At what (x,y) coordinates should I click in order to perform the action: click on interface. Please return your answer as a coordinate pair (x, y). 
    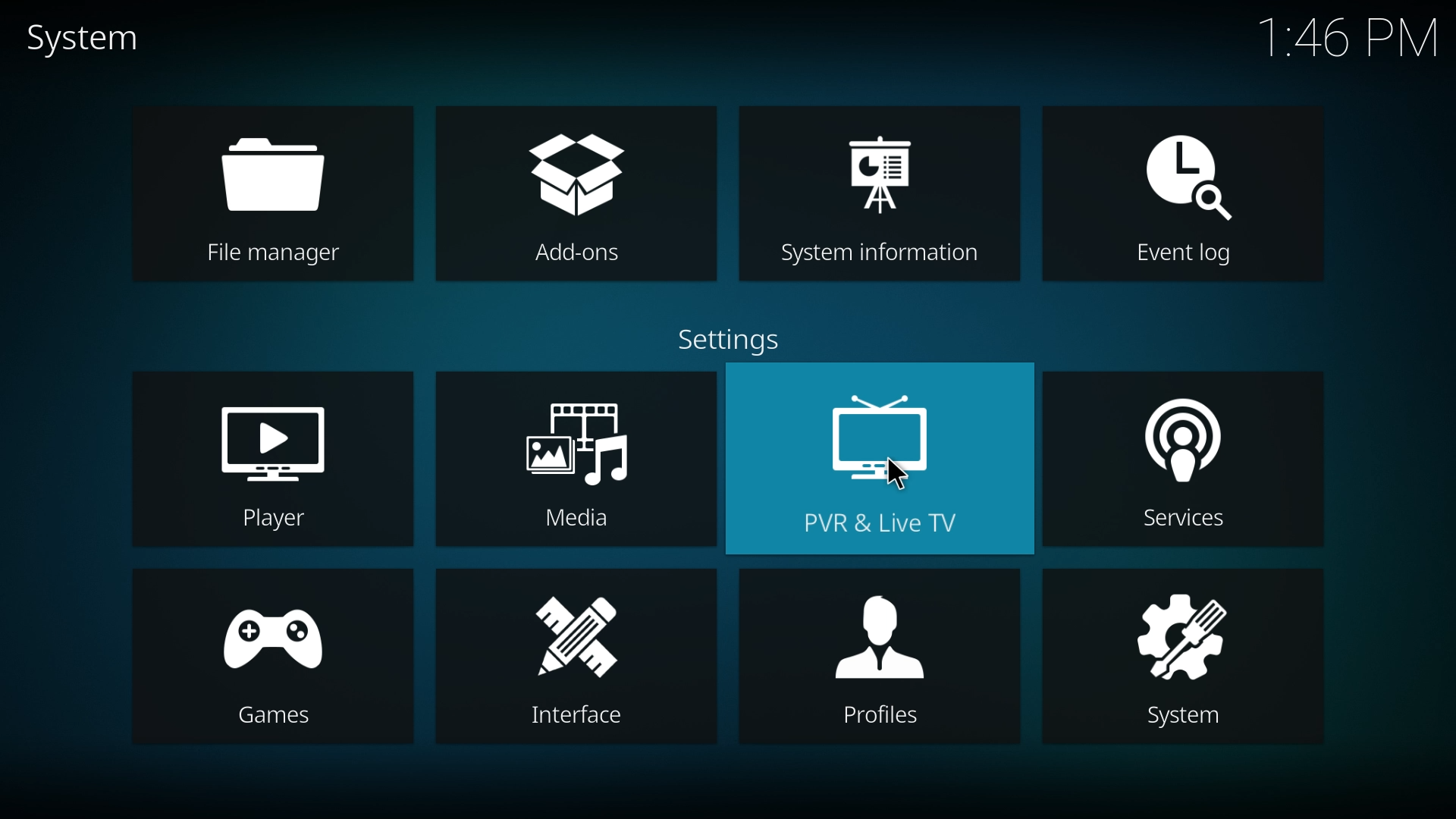
    Looking at the image, I should click on (573, 657).